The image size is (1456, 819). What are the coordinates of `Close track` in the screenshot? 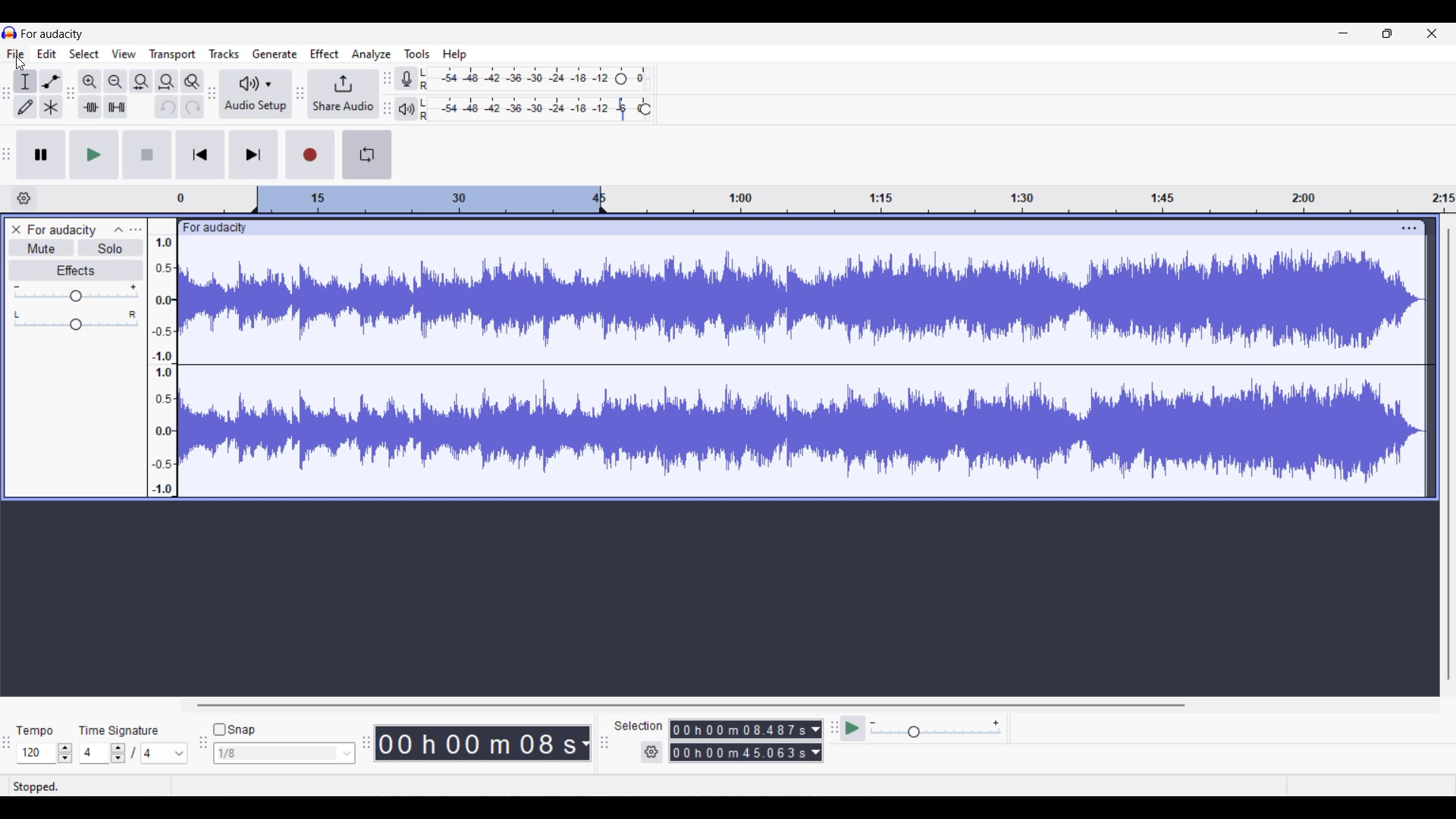 It's located at (17, 229).